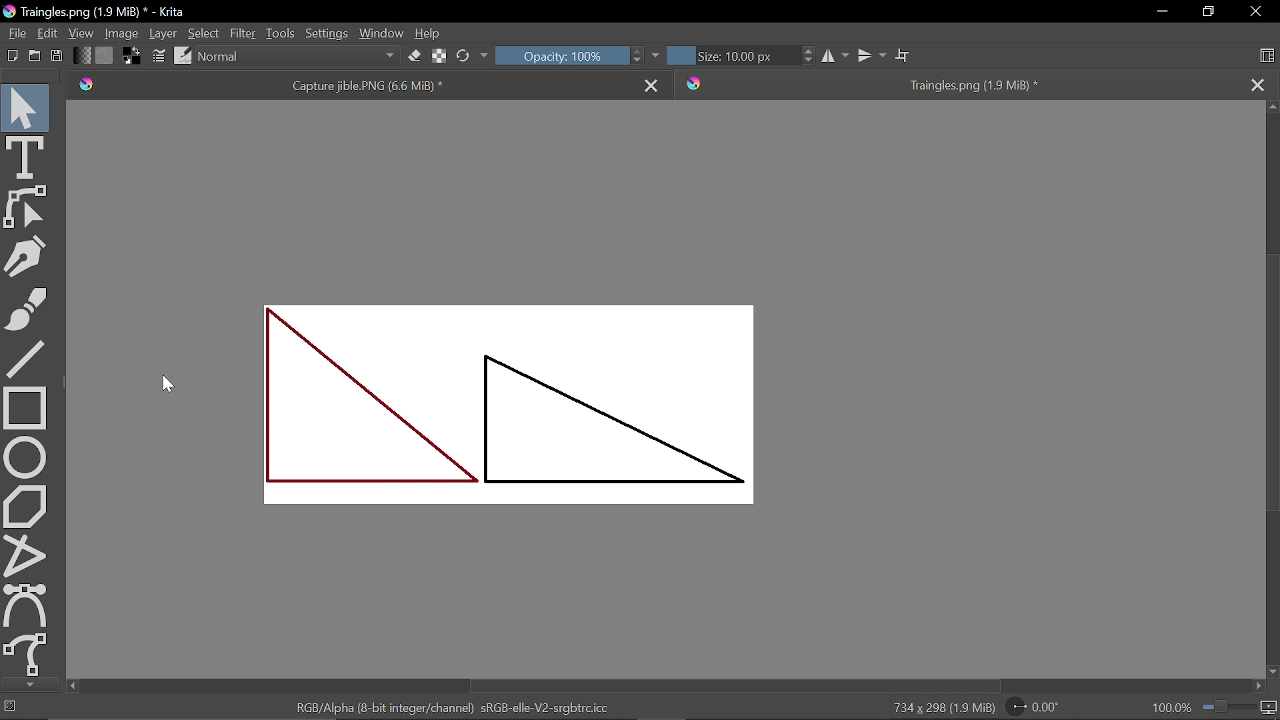  I want to click on Fill pattern, so click(104, 55).